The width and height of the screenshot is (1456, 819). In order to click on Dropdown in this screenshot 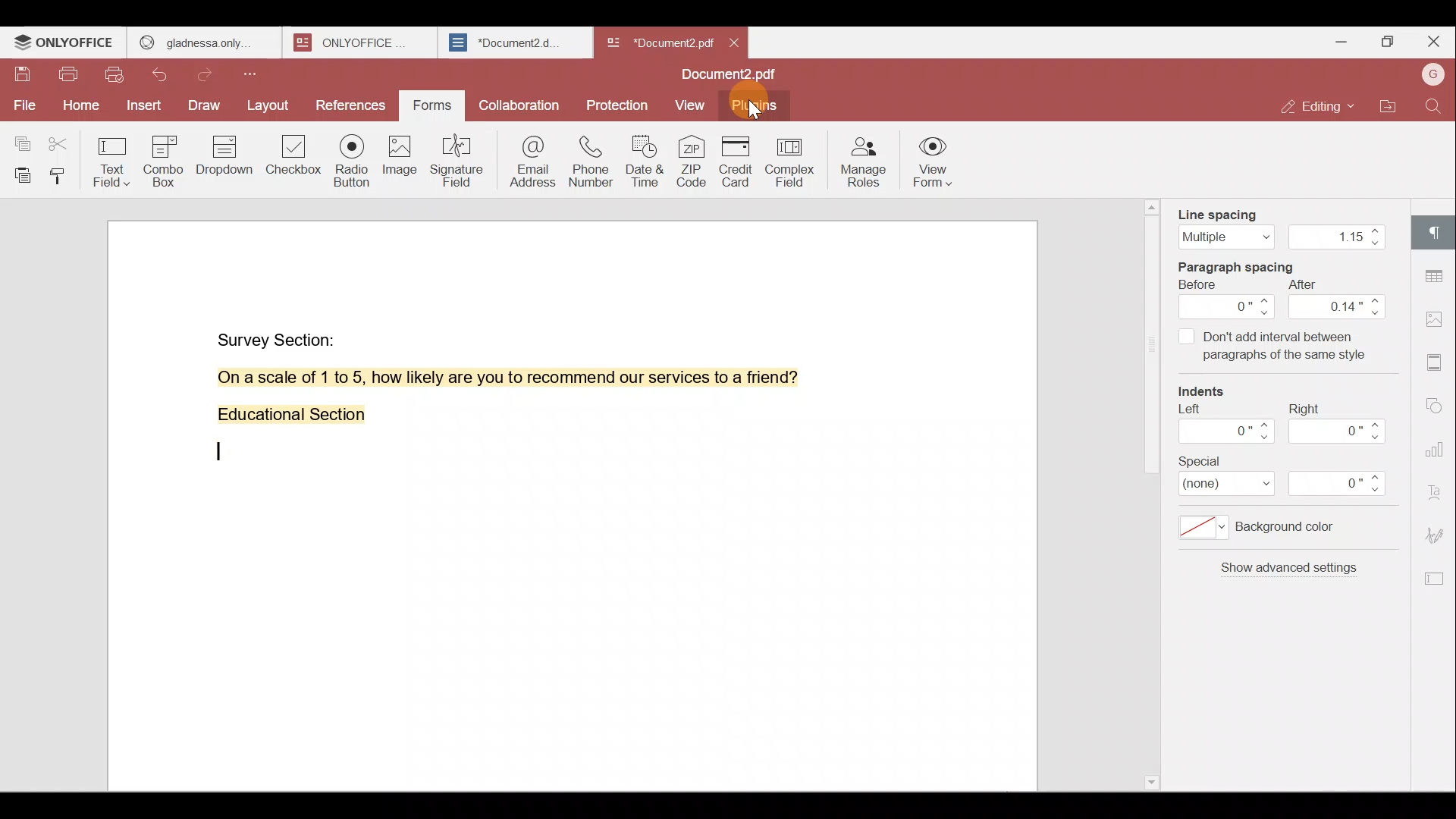, I will do `click(227, 155)`.